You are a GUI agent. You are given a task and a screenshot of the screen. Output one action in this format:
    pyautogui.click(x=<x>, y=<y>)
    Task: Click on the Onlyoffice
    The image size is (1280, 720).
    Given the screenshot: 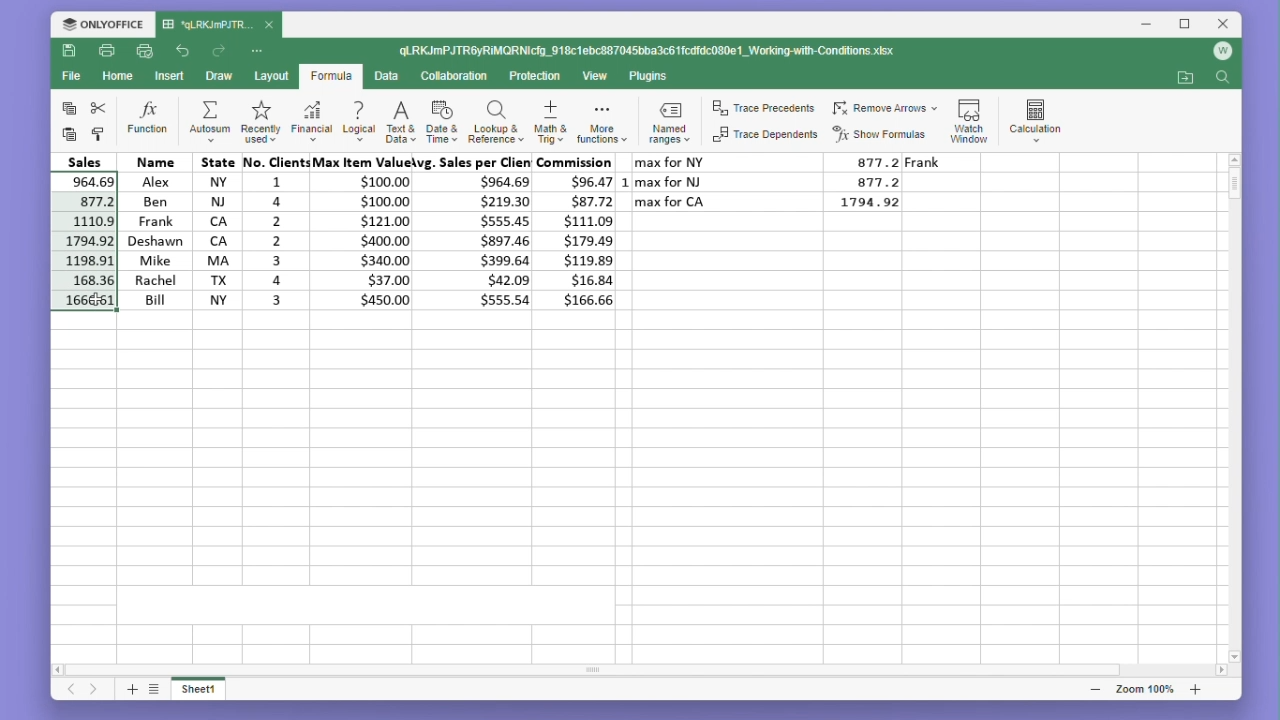 What is the action you would take?
    pyautogui.click(x=102, y=24)
    